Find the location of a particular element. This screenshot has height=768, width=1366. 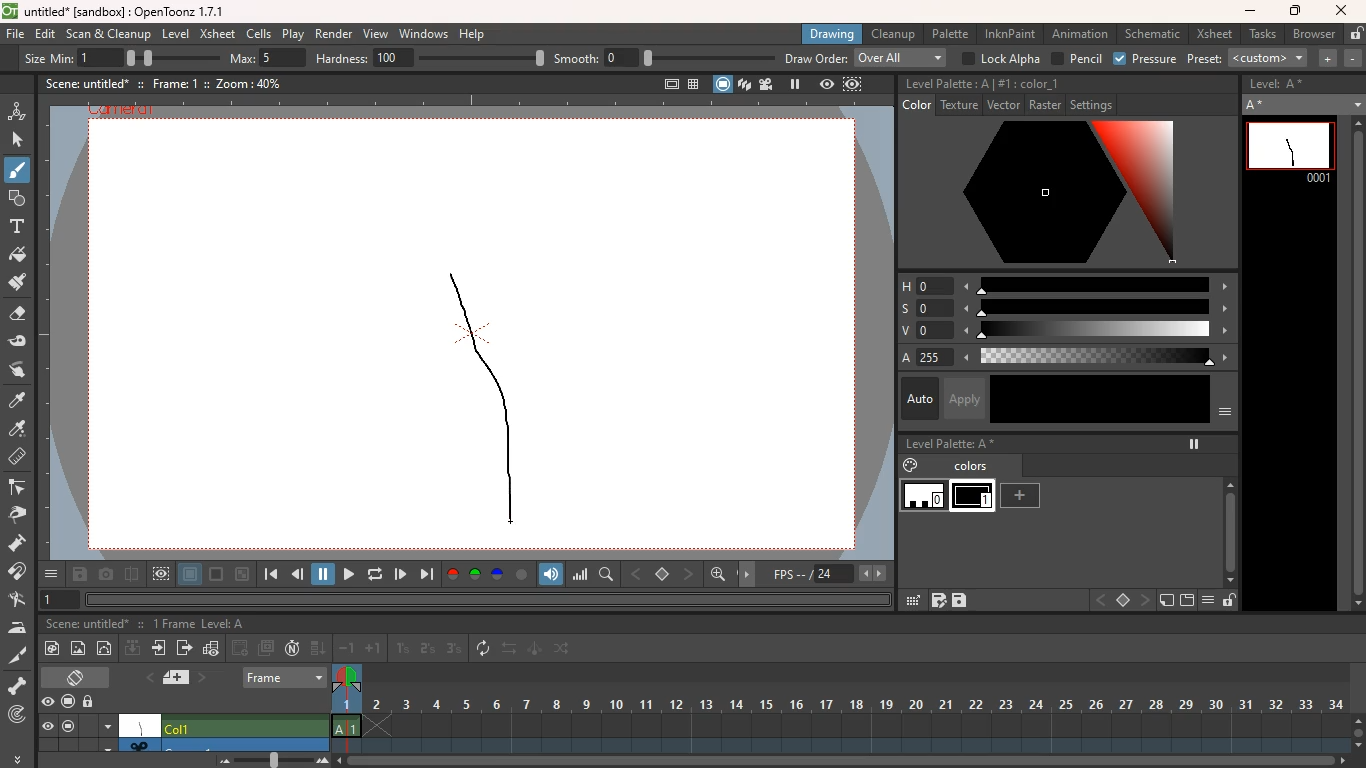

schematic is located at coordinates (1154, 34).